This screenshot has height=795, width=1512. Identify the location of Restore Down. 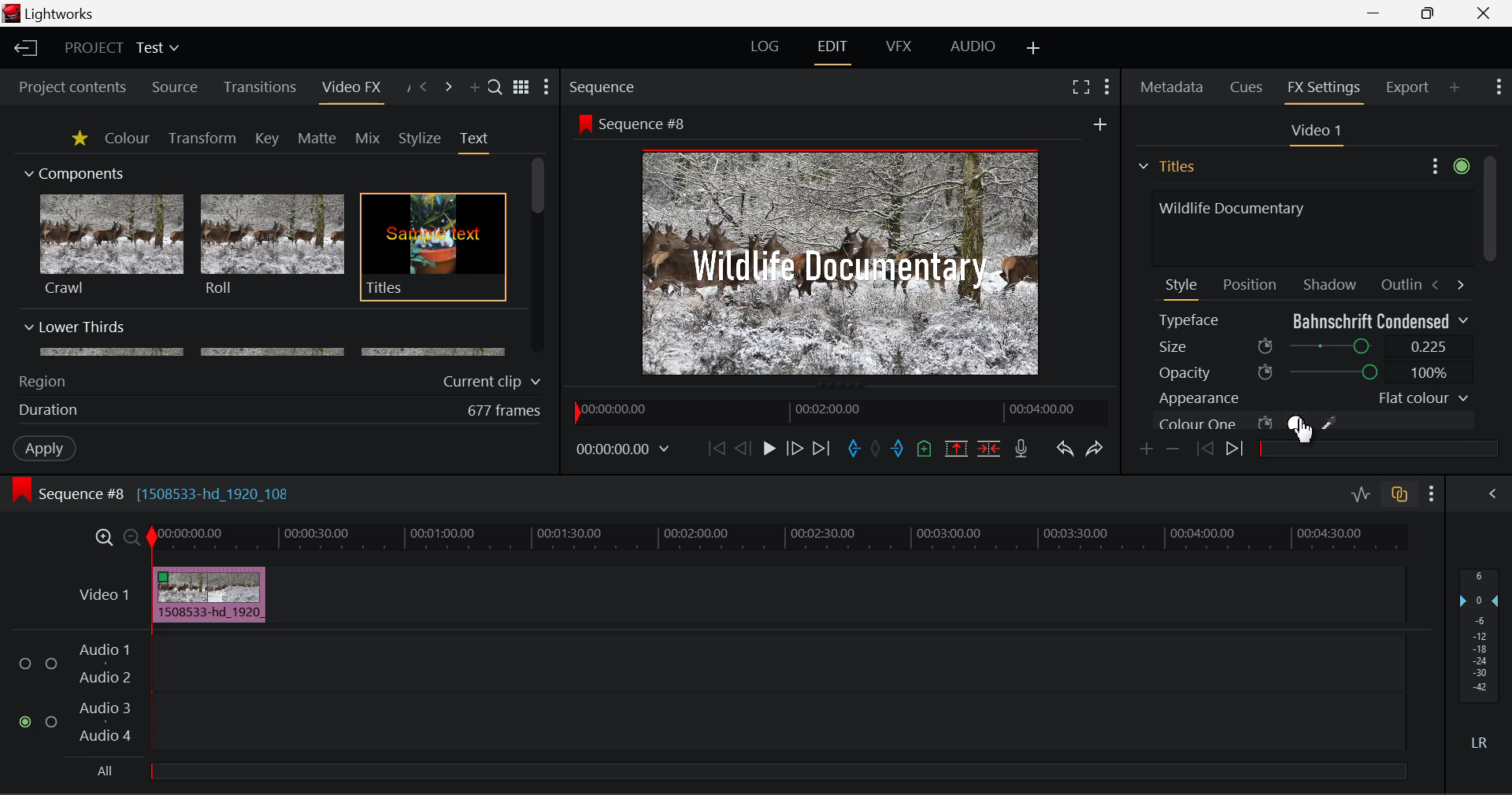
(1375, 11).